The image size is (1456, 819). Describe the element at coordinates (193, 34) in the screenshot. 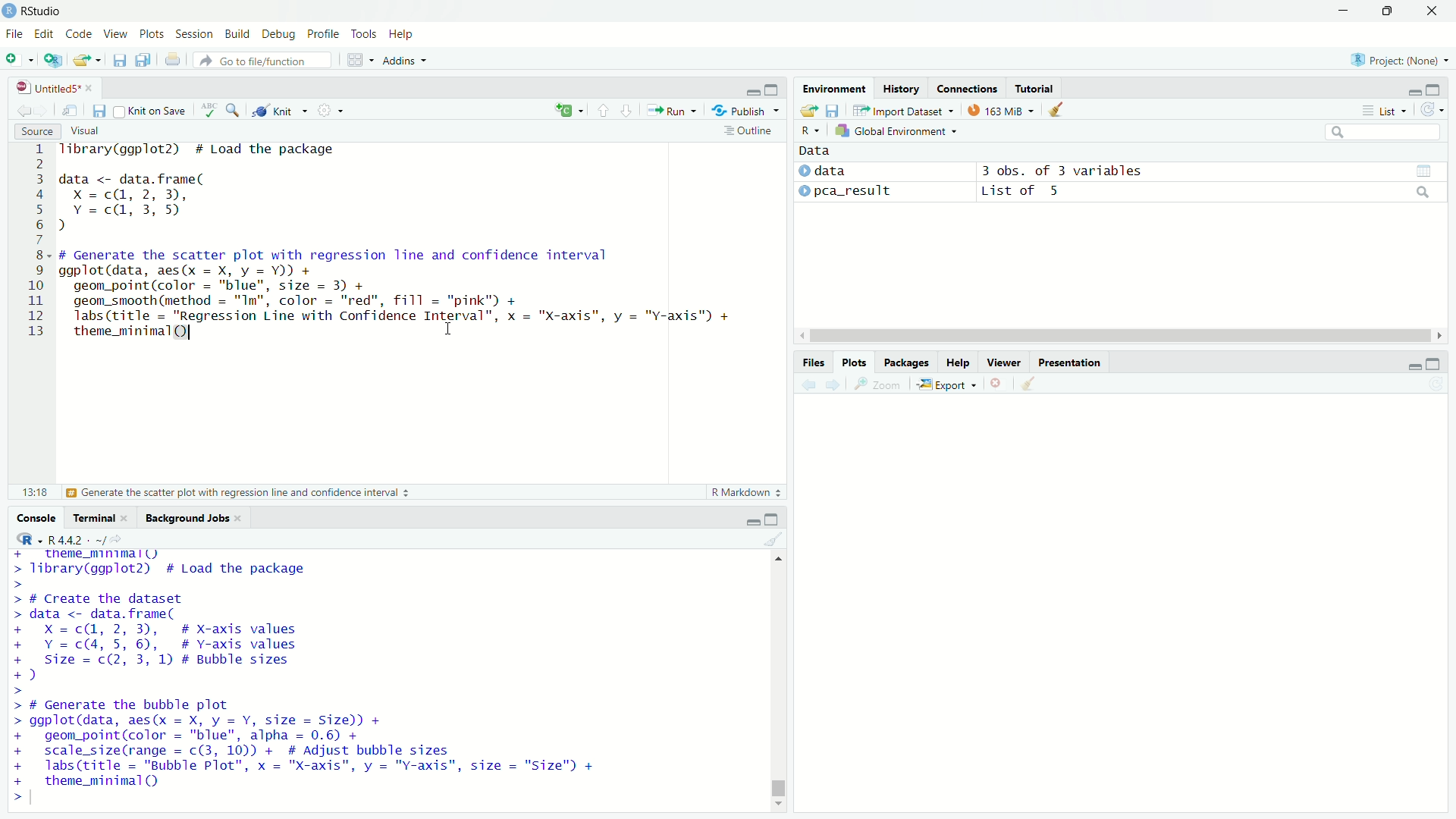

I see `Session` at that location.